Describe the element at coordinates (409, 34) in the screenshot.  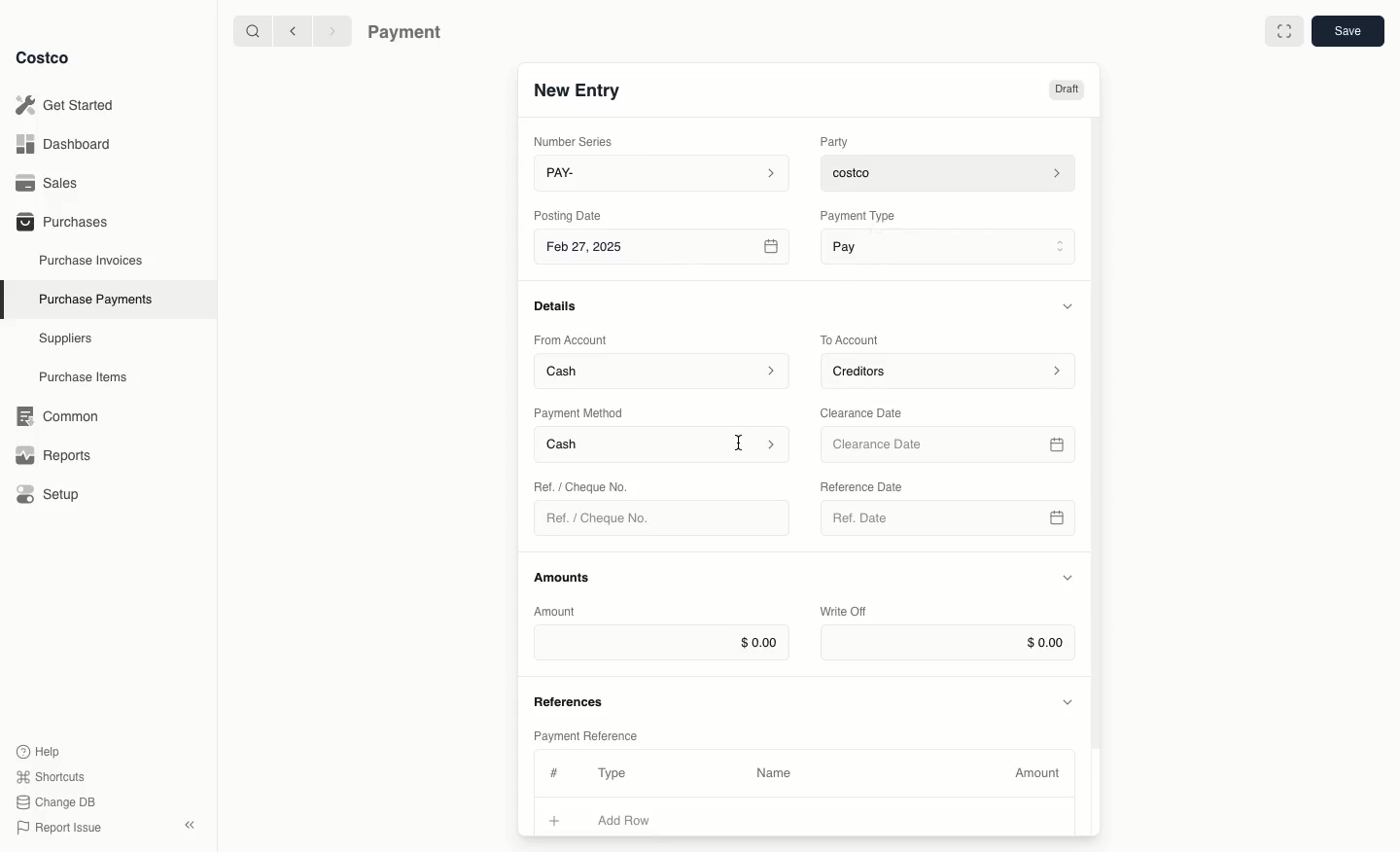
I see `Payment` at that location.